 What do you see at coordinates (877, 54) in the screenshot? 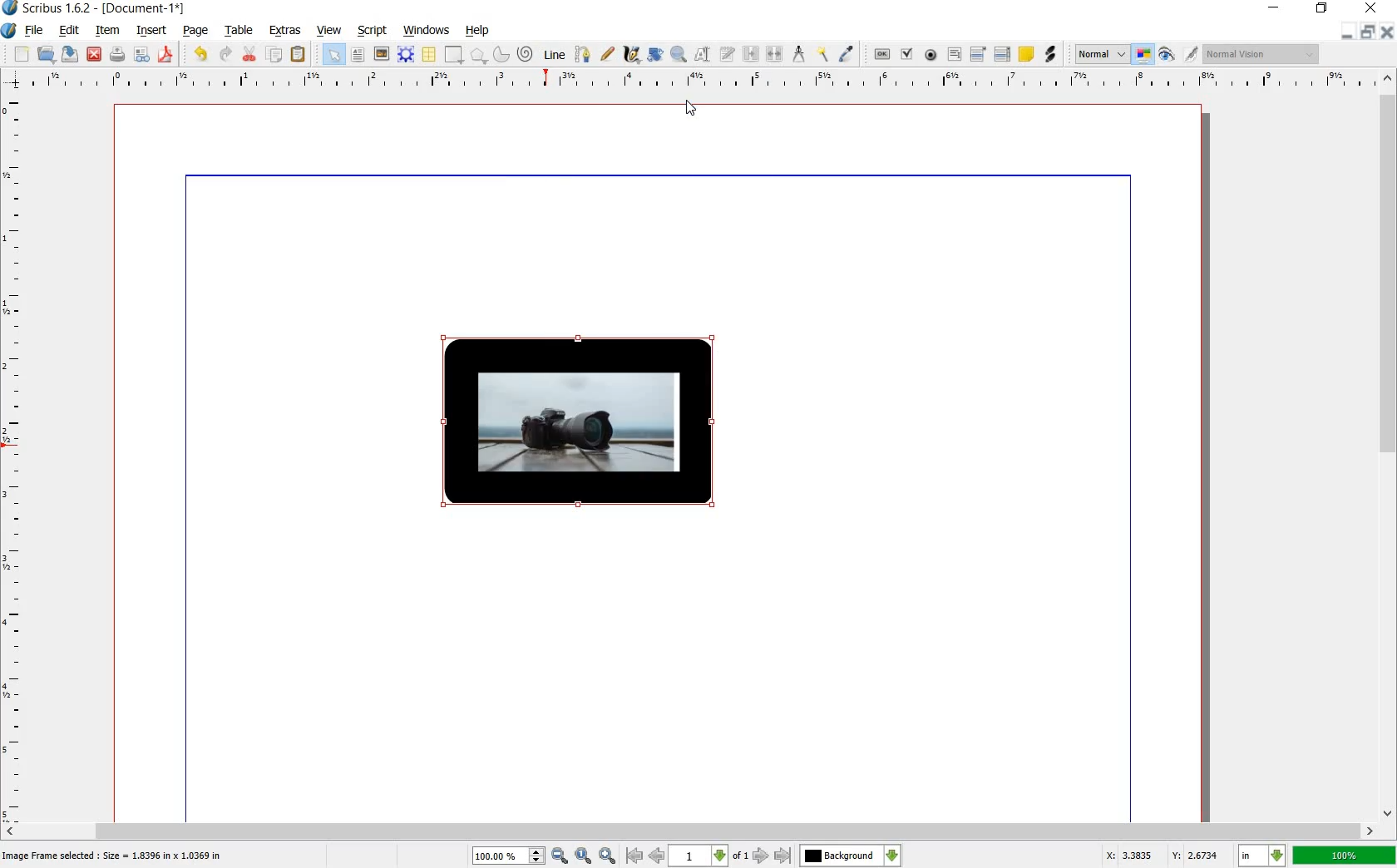
I see `pdf push button` at bounding box center [877, 54].